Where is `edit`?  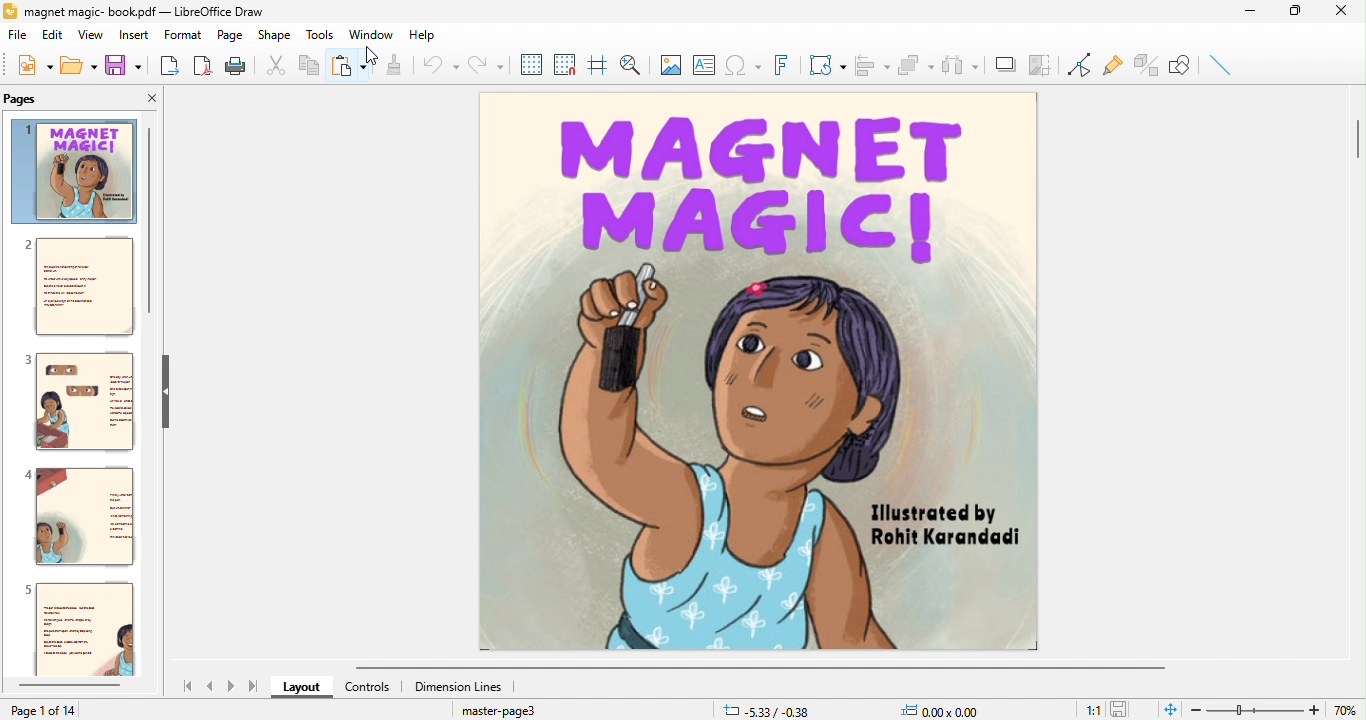
edit is located at coordinates (48, 37).